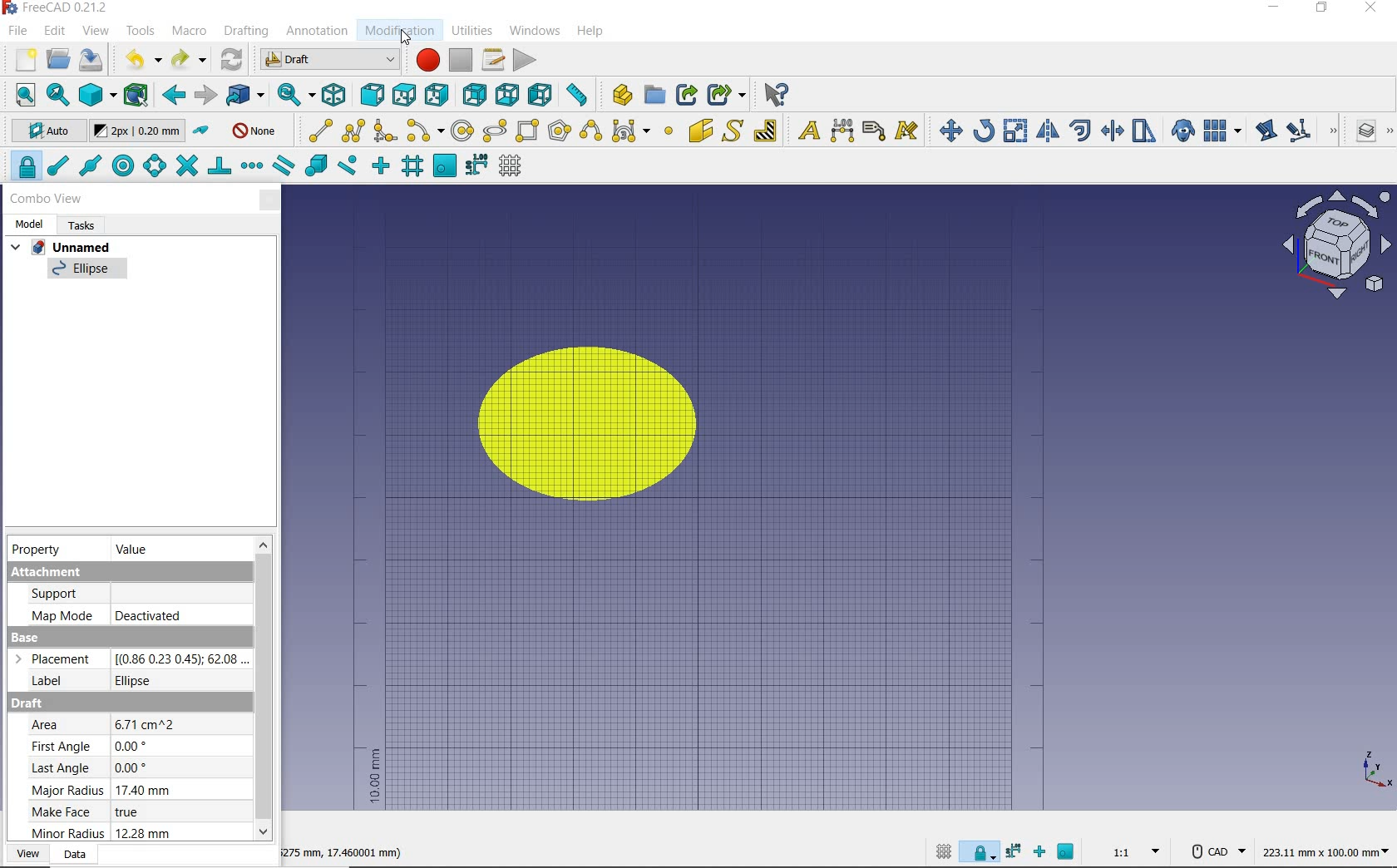  I want to click on CAD Navigation Style, so click(1212, 852).